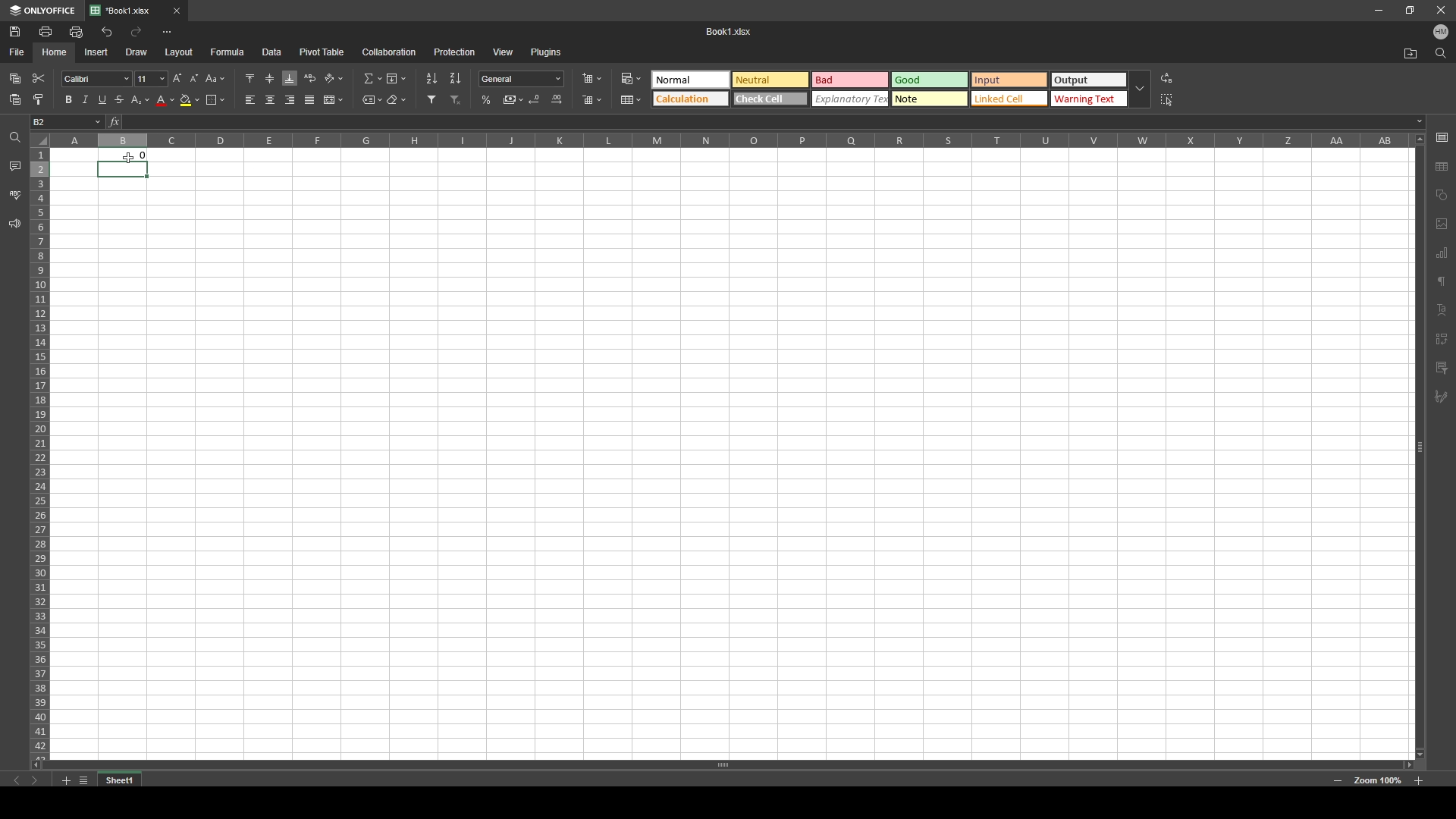 This screenshot has width=1456, height=819. What do you see at coordinates (1140, 89) in the screenshot?
I see `expand` at bounding box center [1140, 89].